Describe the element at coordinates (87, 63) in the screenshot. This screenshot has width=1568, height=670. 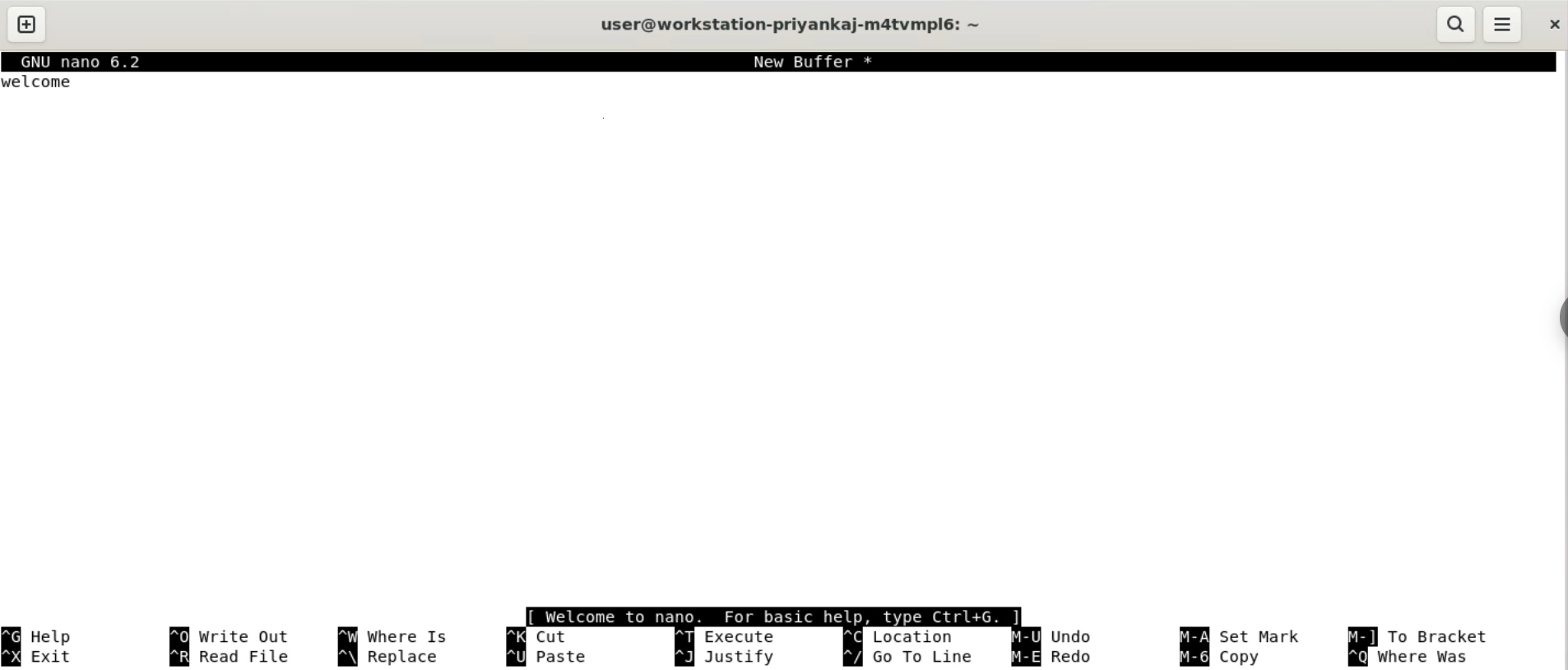
I see `GNU nano 6.2` at that location.